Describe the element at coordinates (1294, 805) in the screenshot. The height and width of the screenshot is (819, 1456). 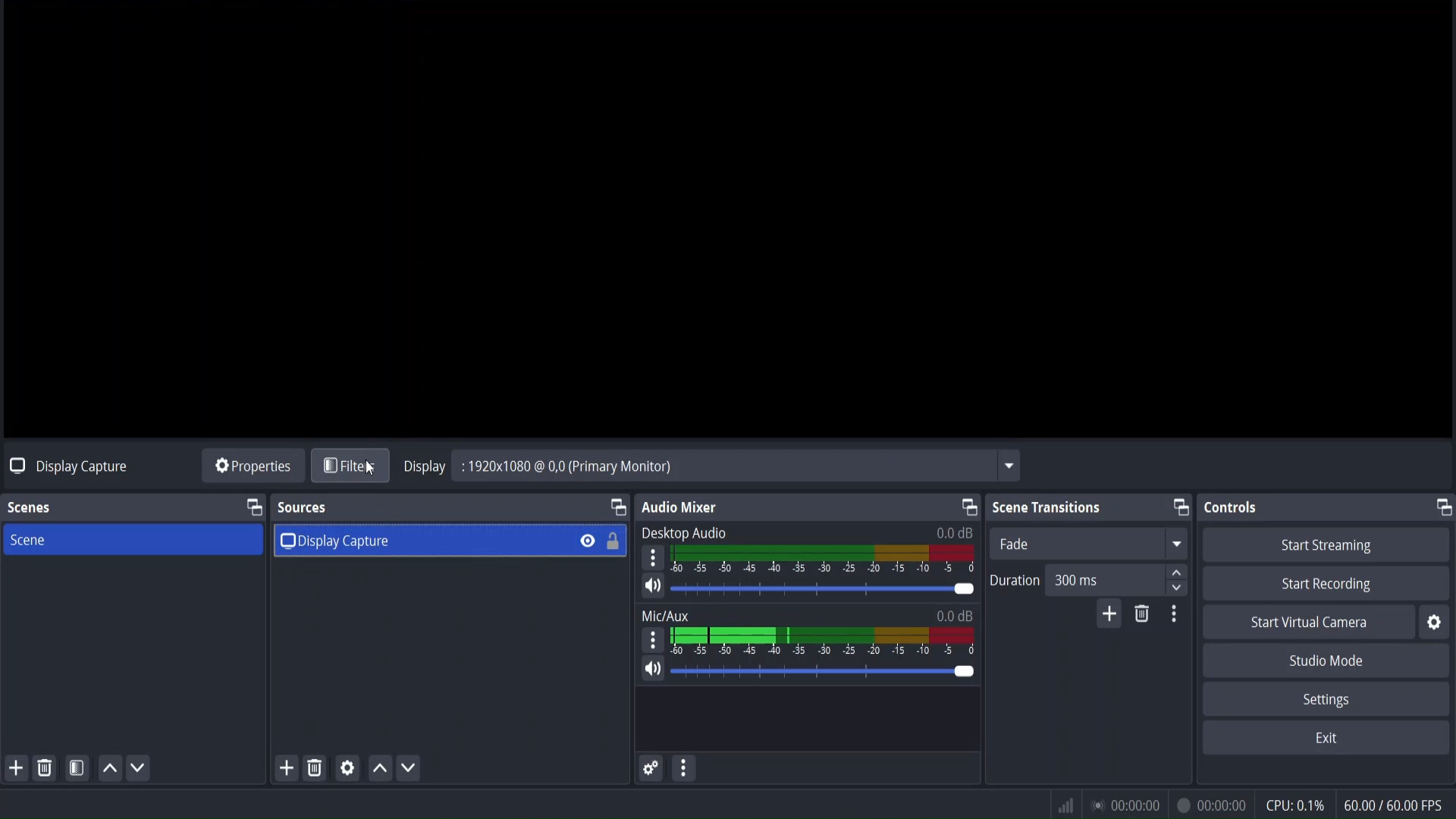
I see `cpu usage` at that location.